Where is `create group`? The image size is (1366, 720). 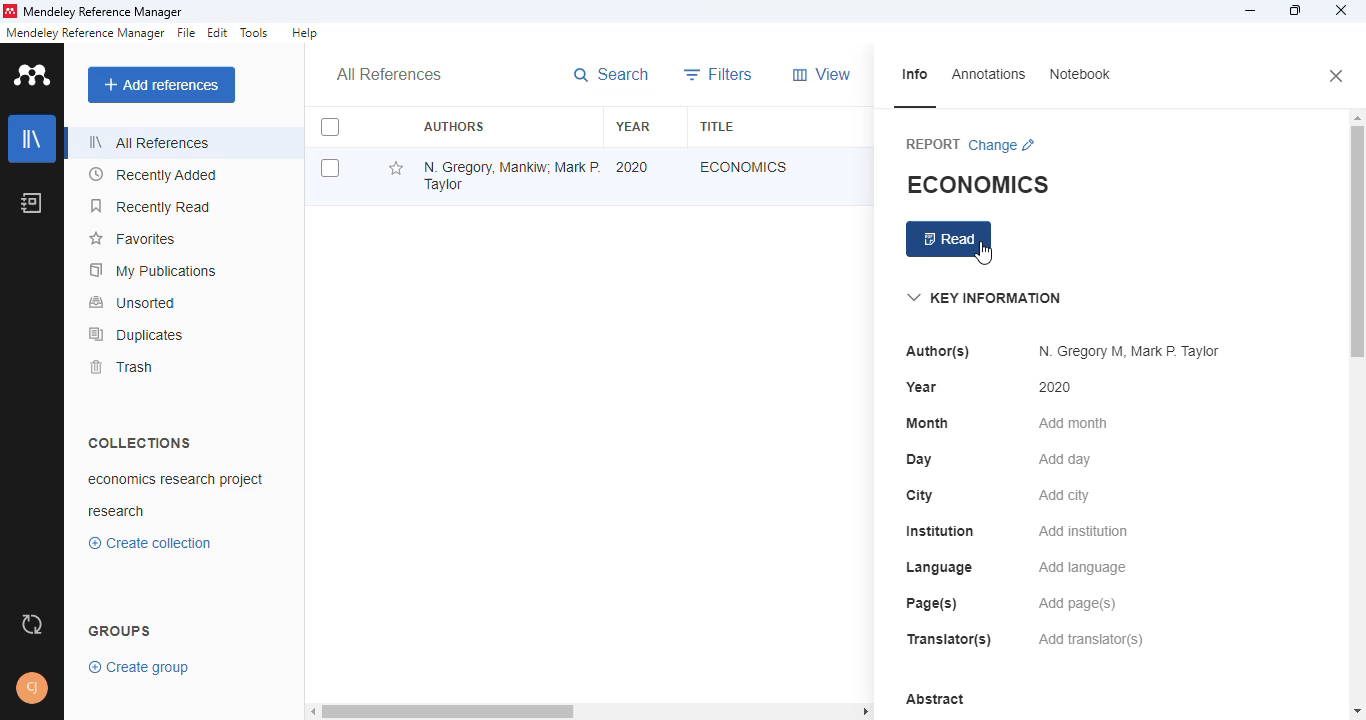
create group is located at coordinates (139, 668).